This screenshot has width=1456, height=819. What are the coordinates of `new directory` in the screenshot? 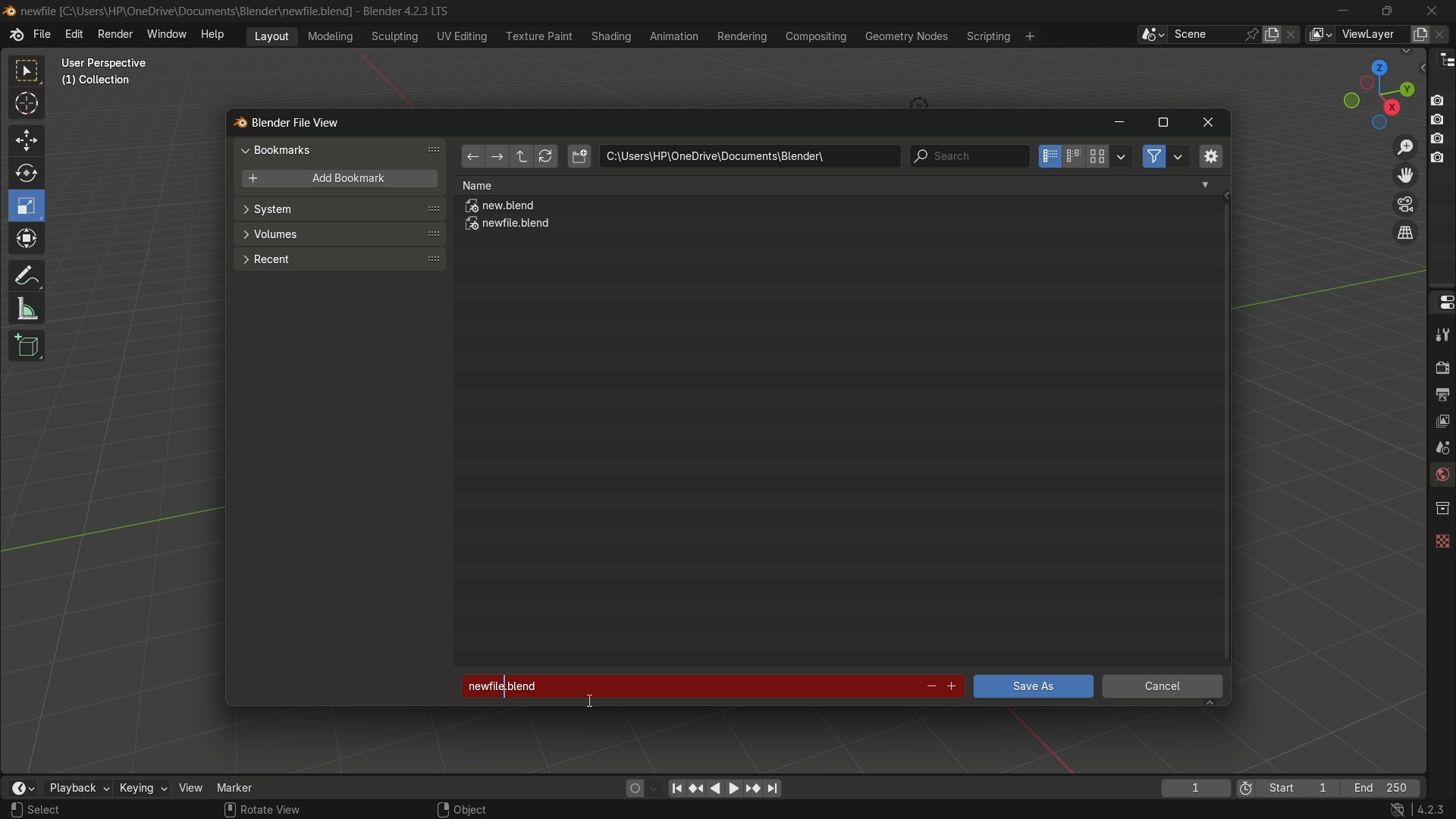 It's located at (579, 156).